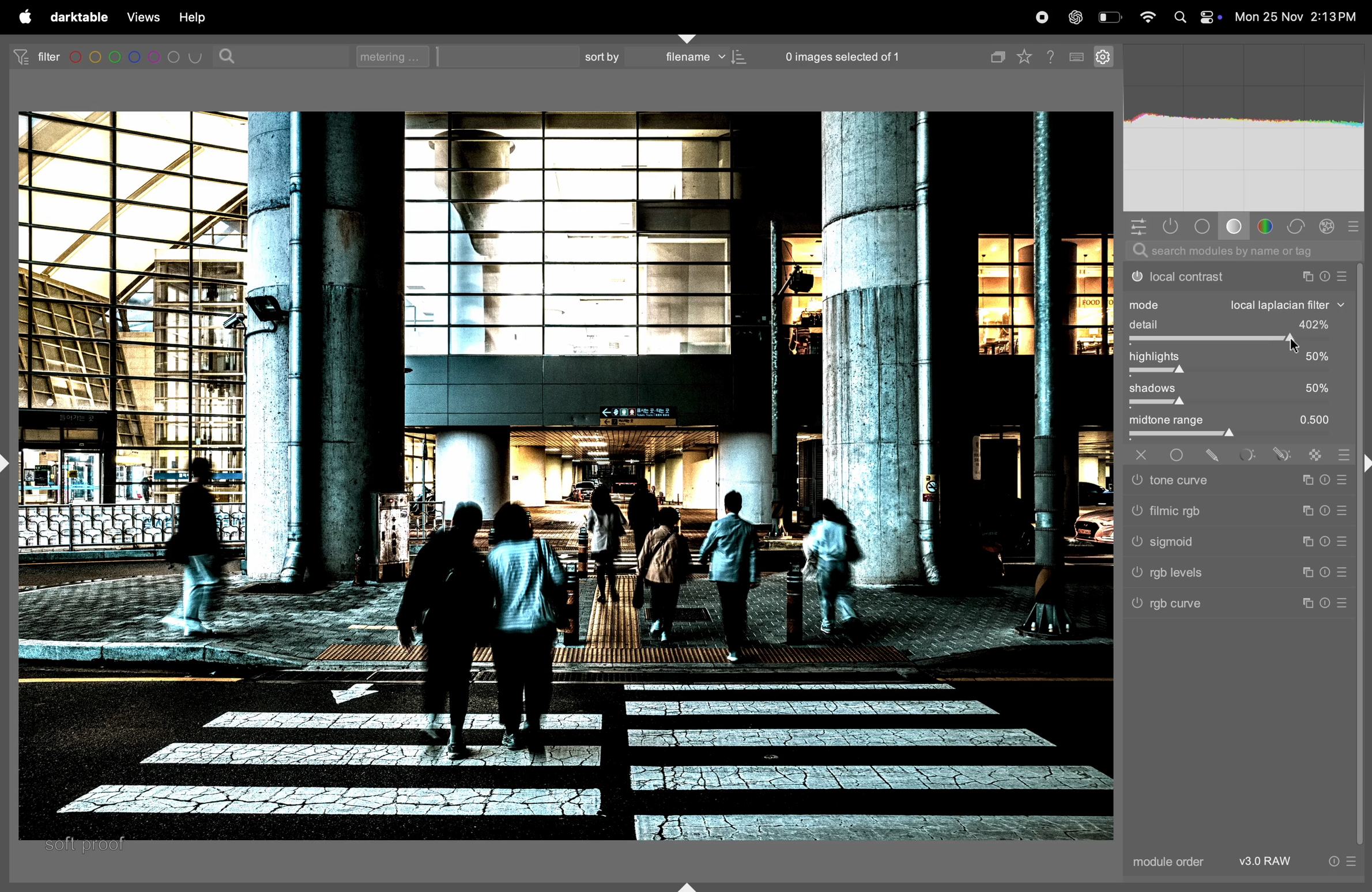 The height and width of the screenshot is (892, 1372). Describe the element at coordinates (22, 17) in the screenshot. I see `apple menu` at that location.